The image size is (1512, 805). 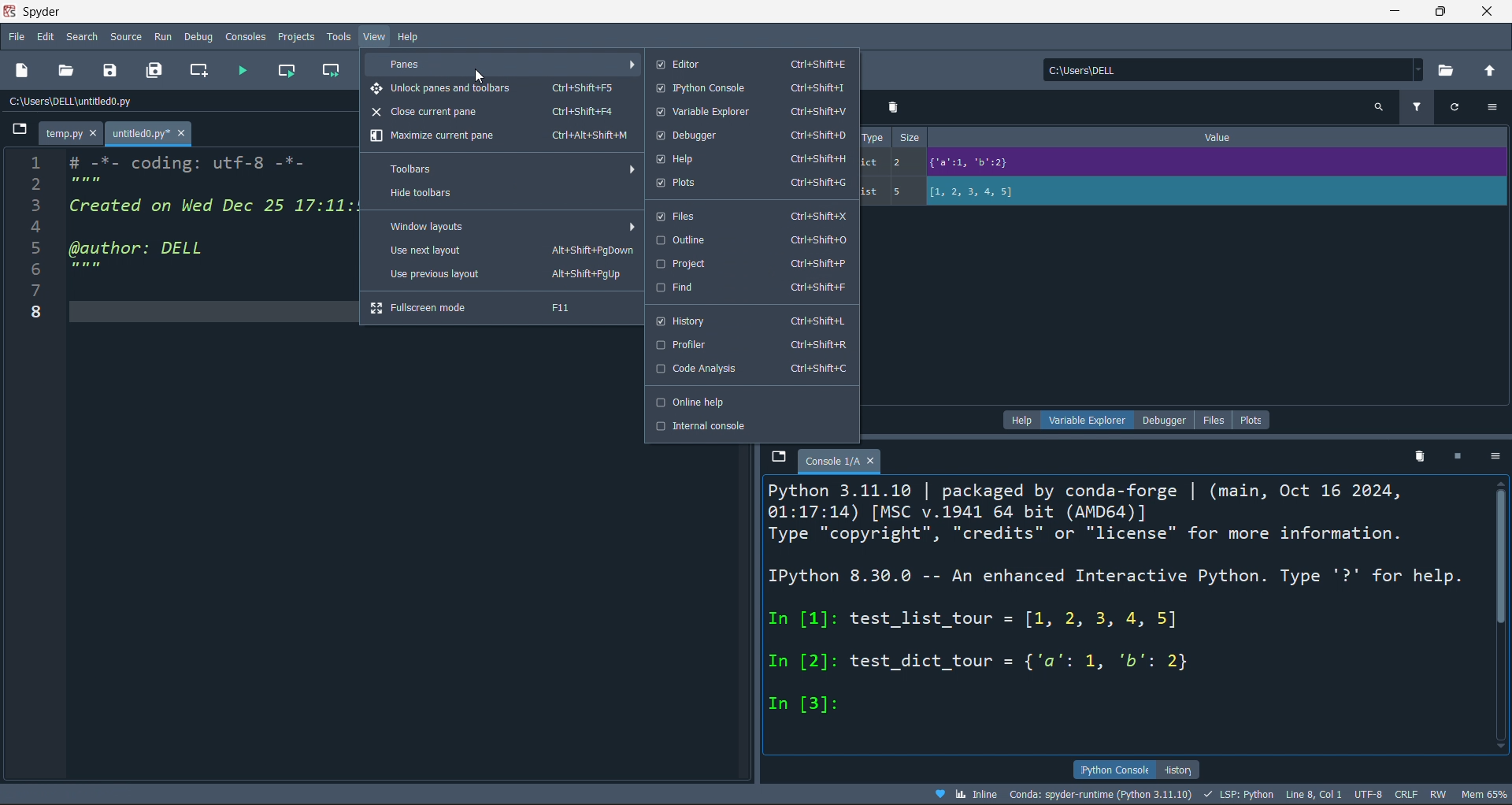 What do you see at coordinates (1503, 566) in the screenshot?
I see `vertical scroll bar` at bounding box center [1503, 566].